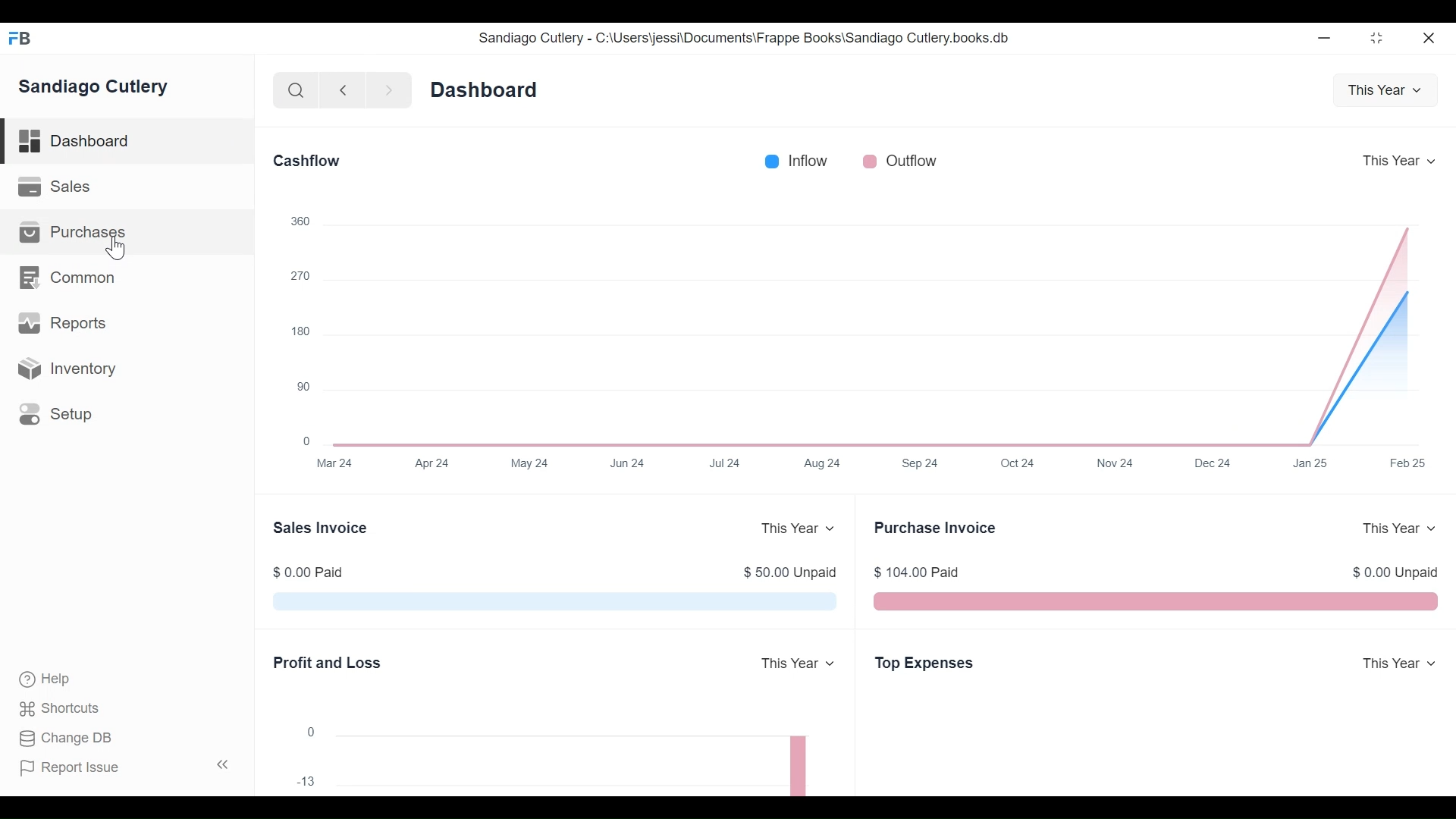  Describe the element at coordinates (301, 221) in the screenshot. I see `360` at that location.